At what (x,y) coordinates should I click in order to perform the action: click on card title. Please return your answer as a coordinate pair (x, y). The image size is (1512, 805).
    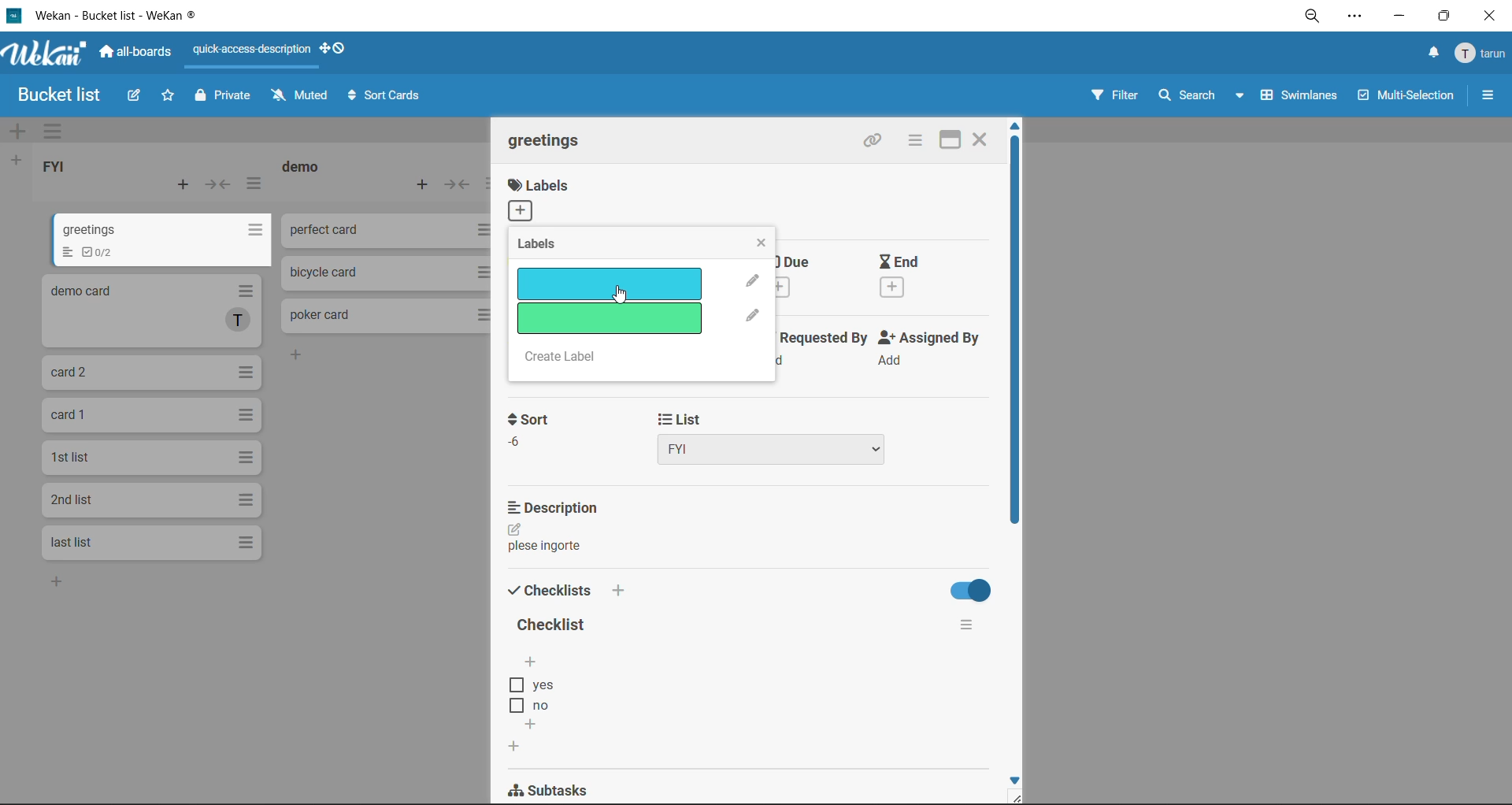
    Looking at the image, I should click on (547, 139).